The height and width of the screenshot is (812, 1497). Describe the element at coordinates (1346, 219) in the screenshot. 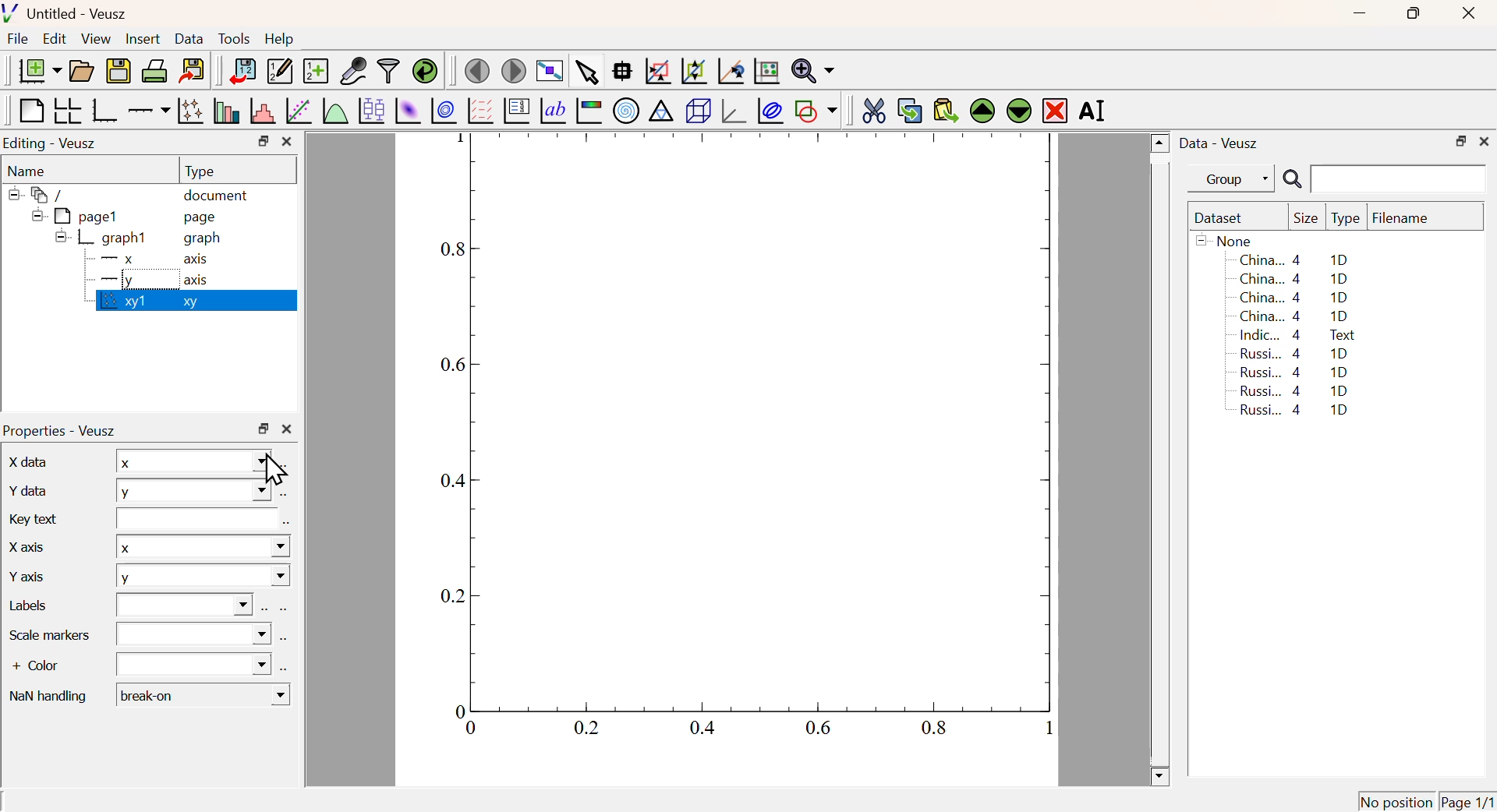

I see `Type` at that location.